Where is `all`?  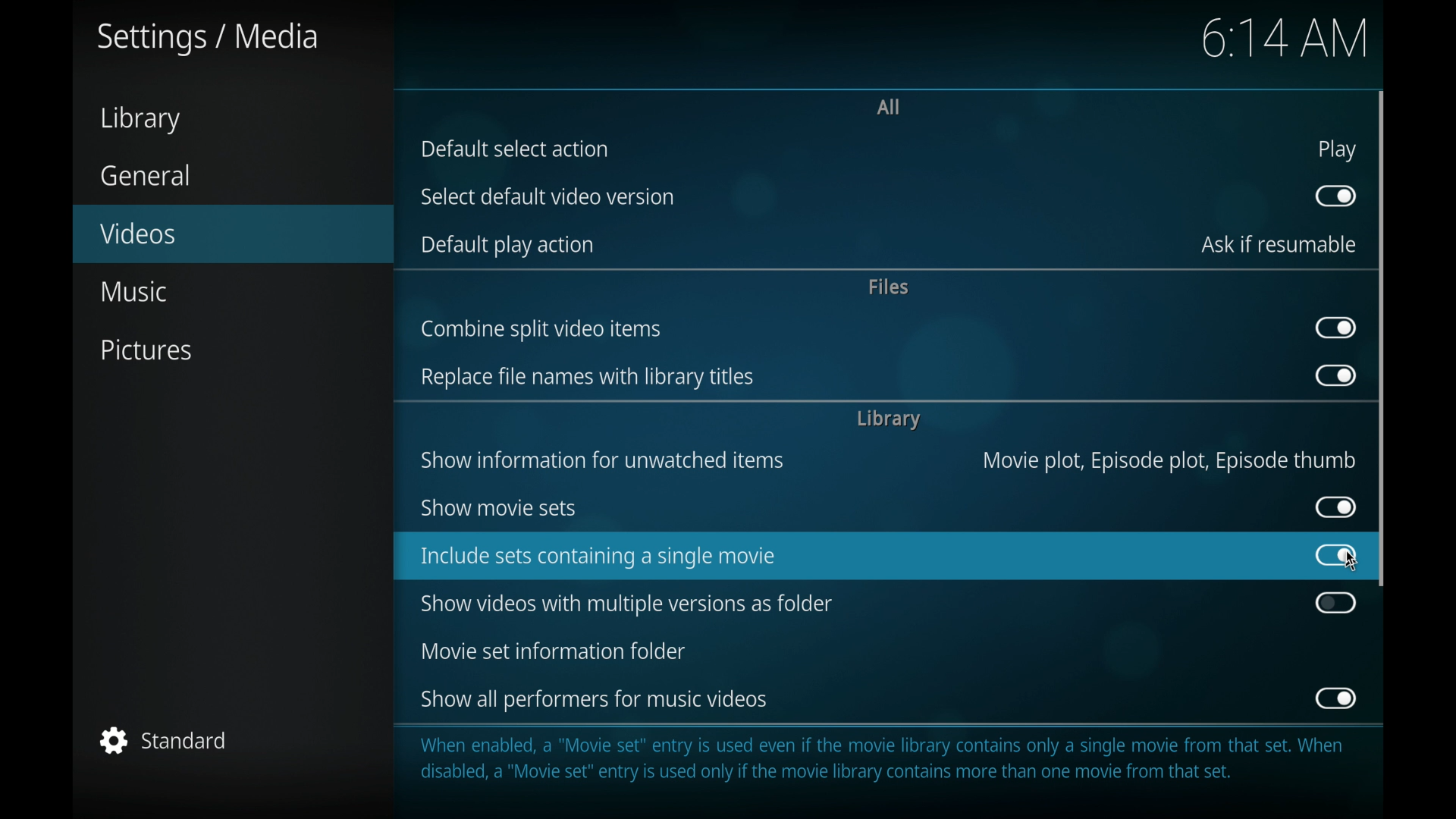
all is located at coordinates (891, 106).